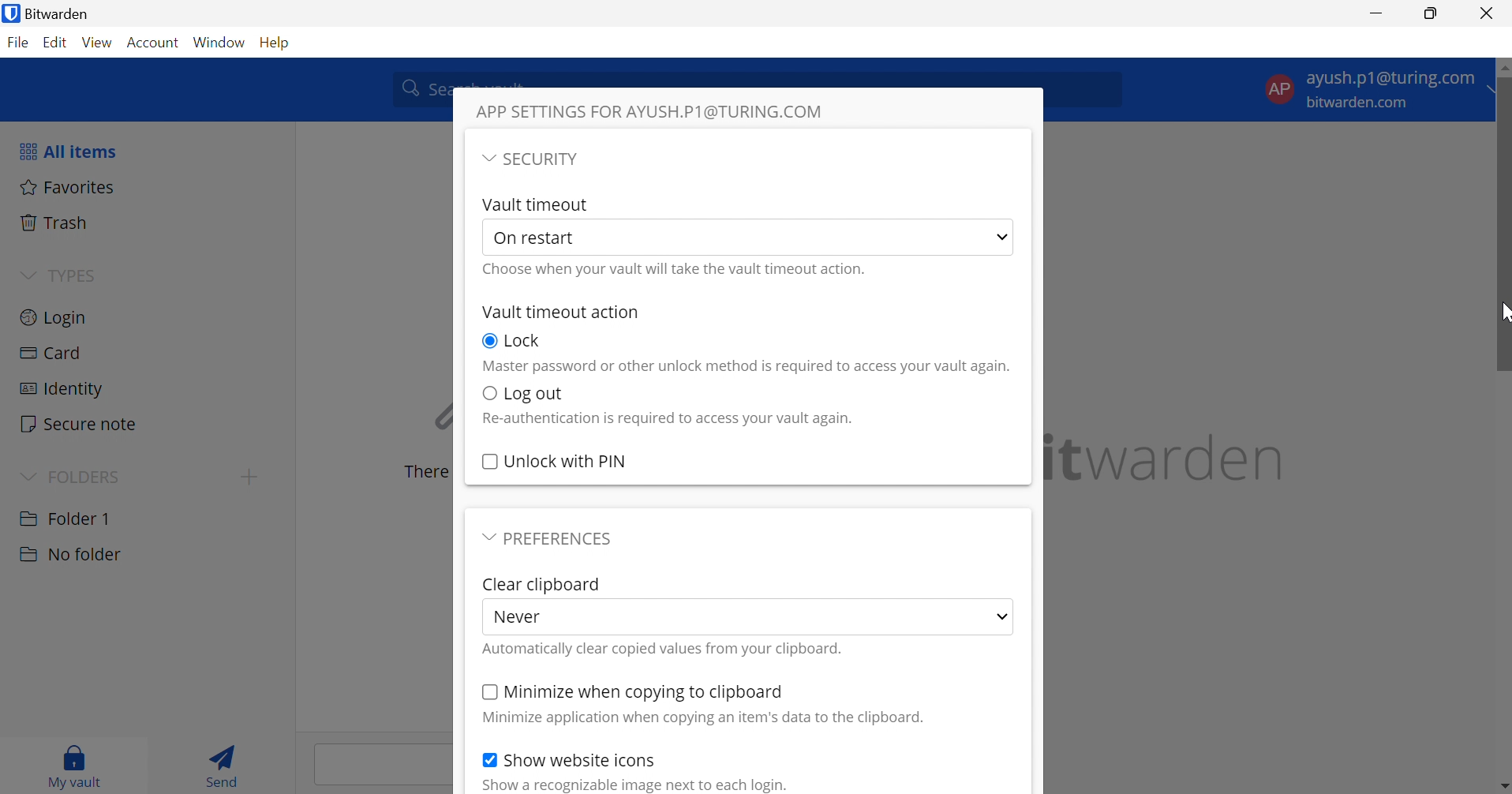  What do you see at coordinates (487, 395) in the screenshot?
I see `Checkbox` at bounding box center [487, 395].